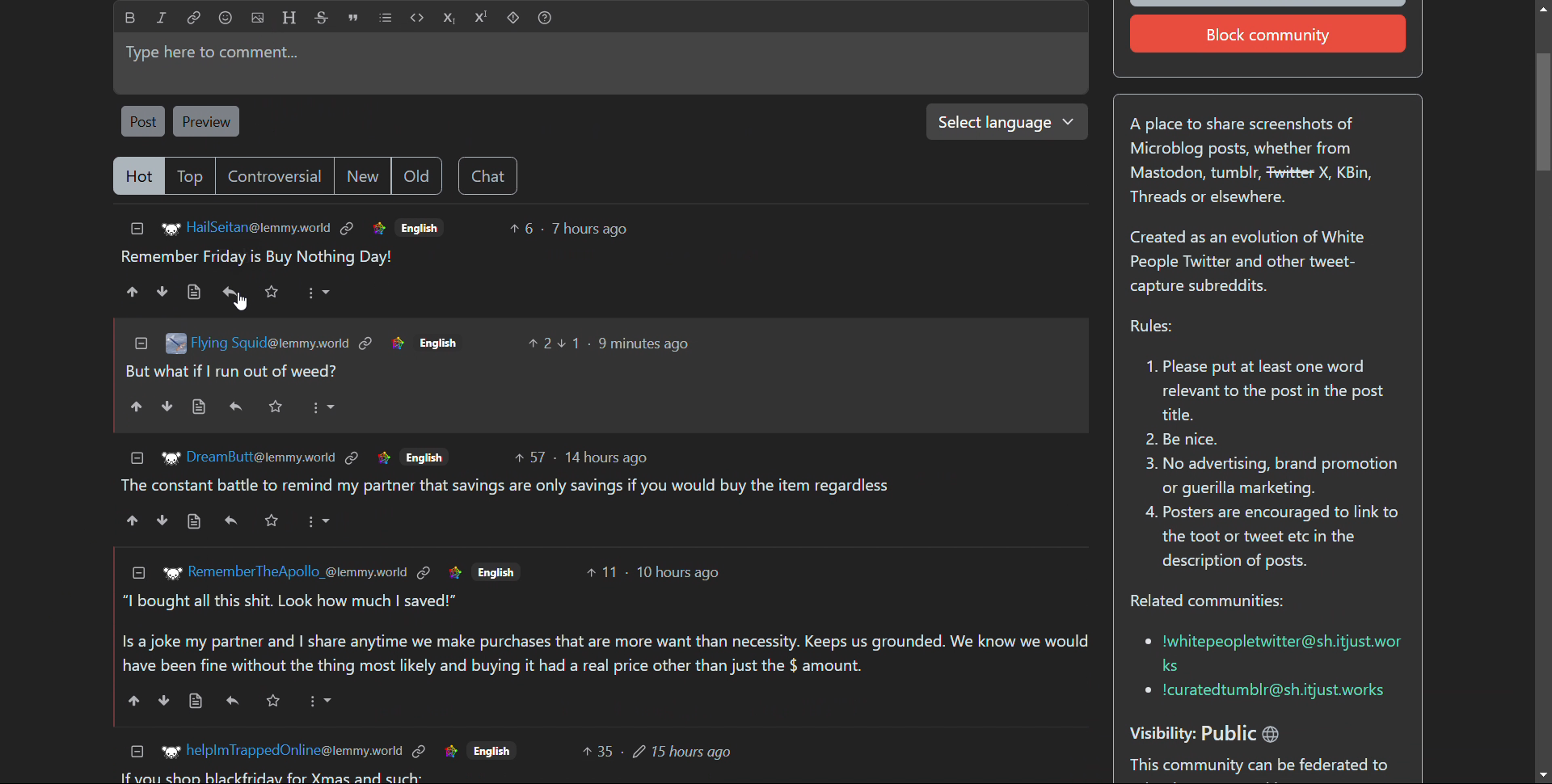  What do you see at coordinates (1272, 541) in the screenshot?
I see `4. Posters are encouraged to link to the toot or tweet etc in the description of posts.` at bounding box center [1272, 541].